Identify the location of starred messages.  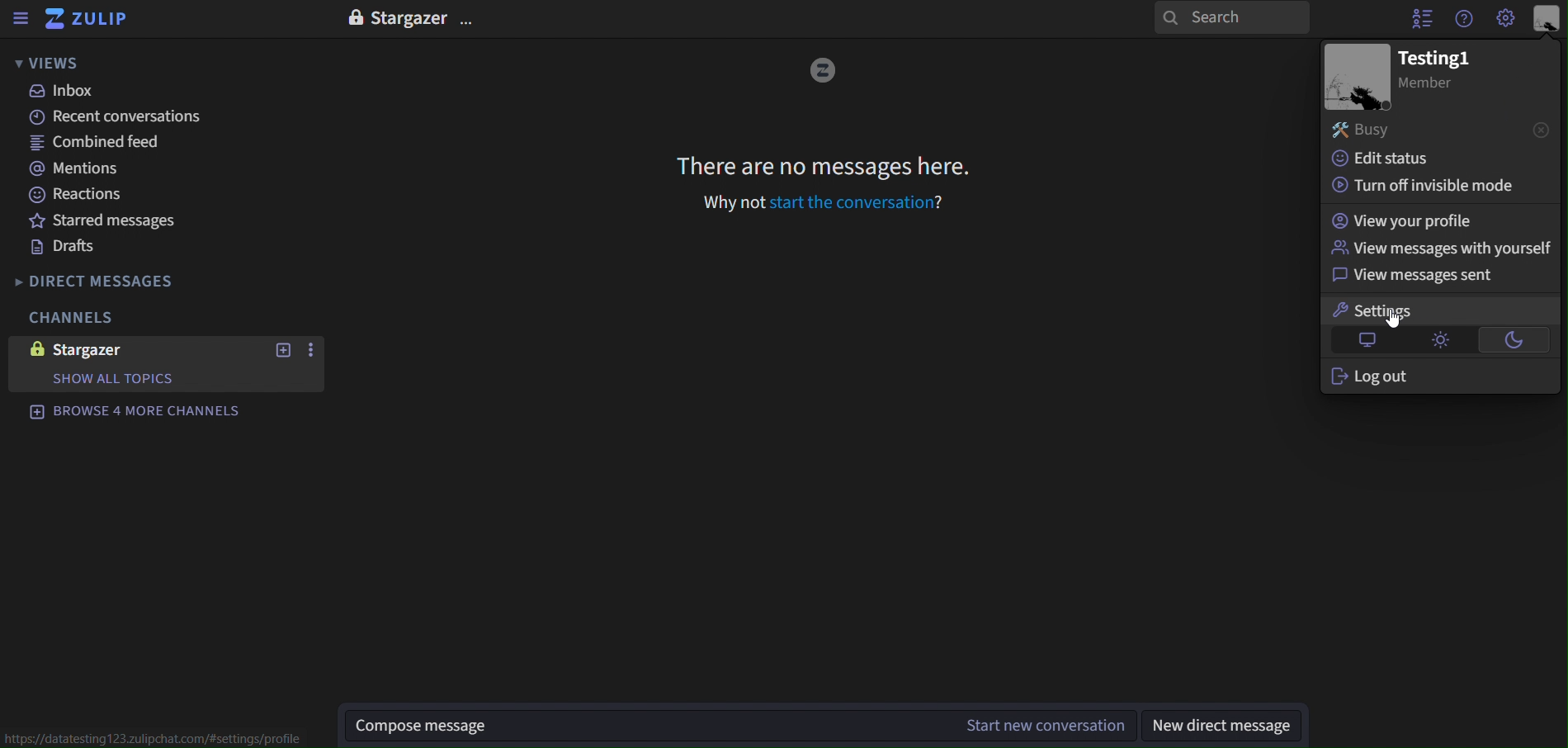
(117, 222).